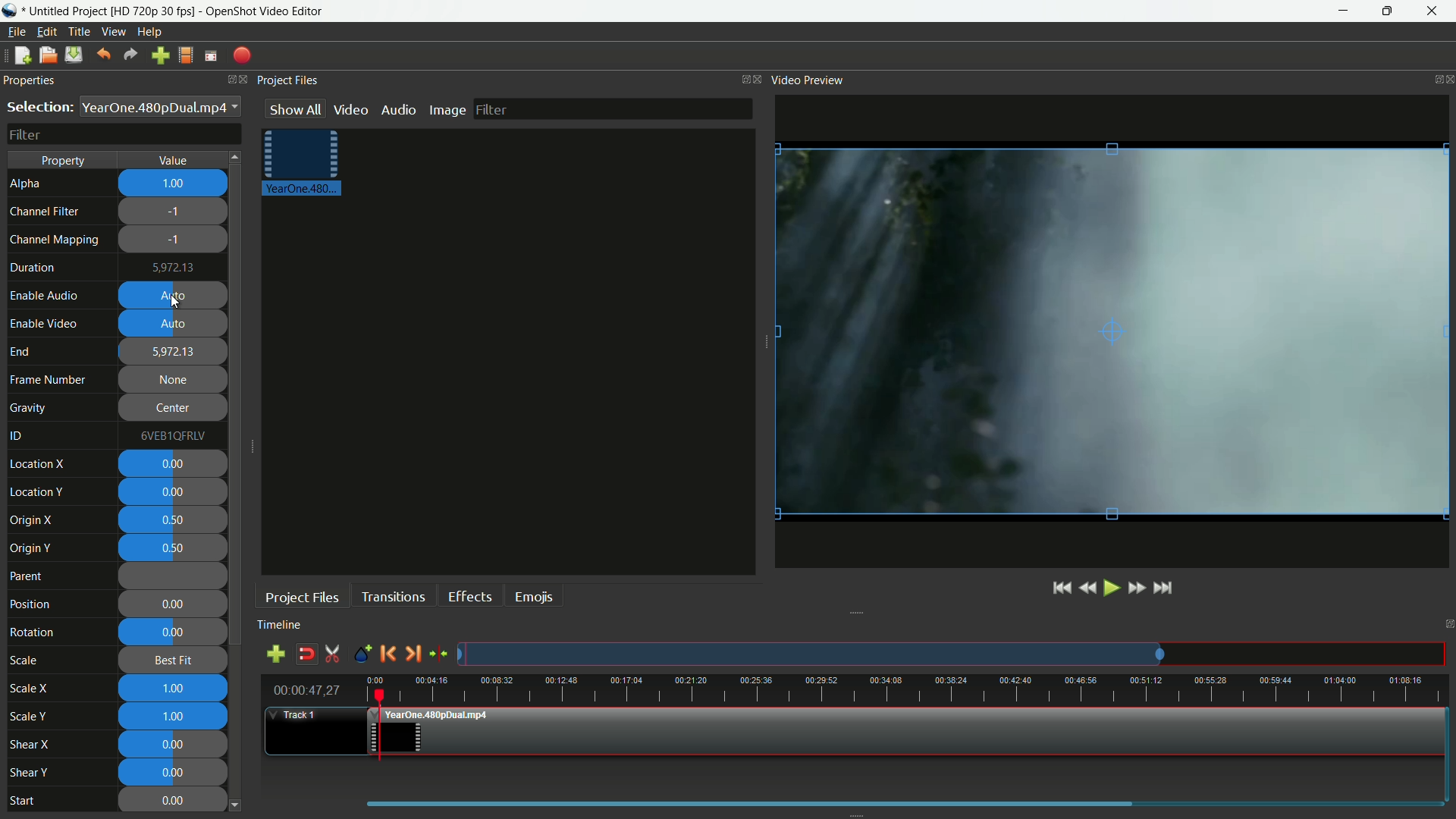 This screenshot has width=1456, height=819. What do you see at coordinates (174, 351) in the screenshot?
I see `5972.13` at bounding box center [174, 351].